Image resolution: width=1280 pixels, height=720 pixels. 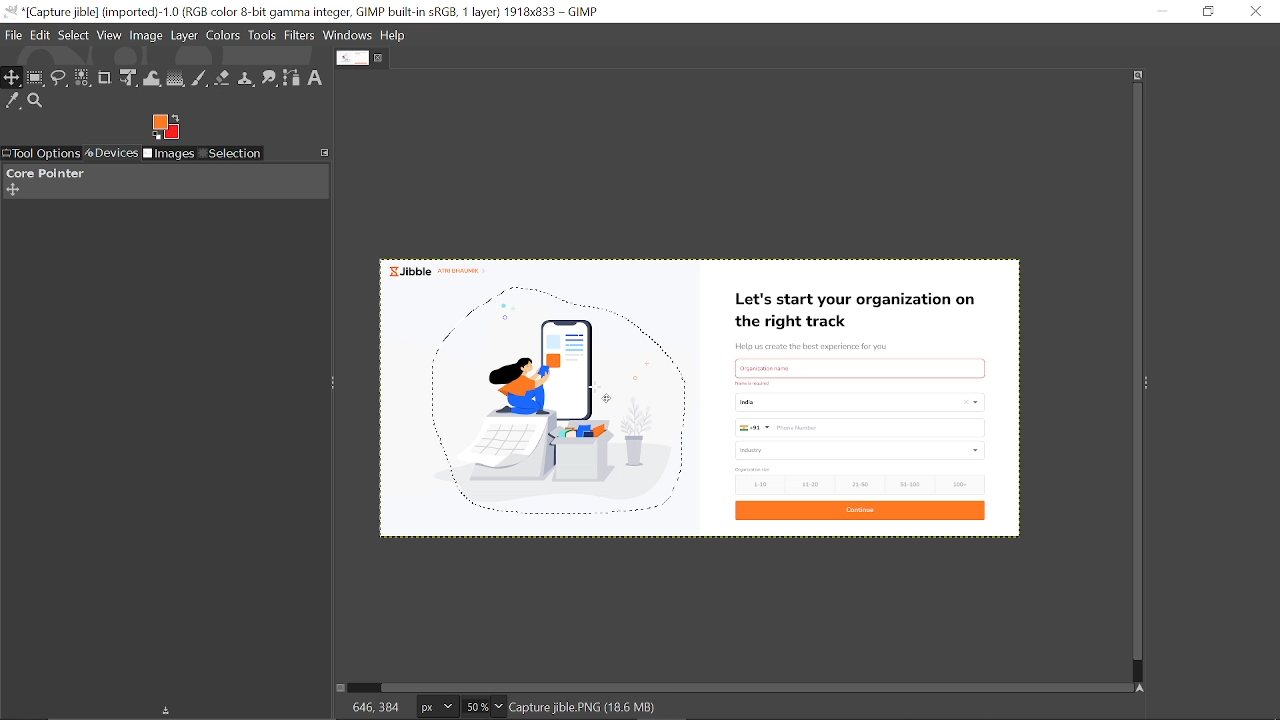 I want to click on Colors, so click(x=223, y=37).